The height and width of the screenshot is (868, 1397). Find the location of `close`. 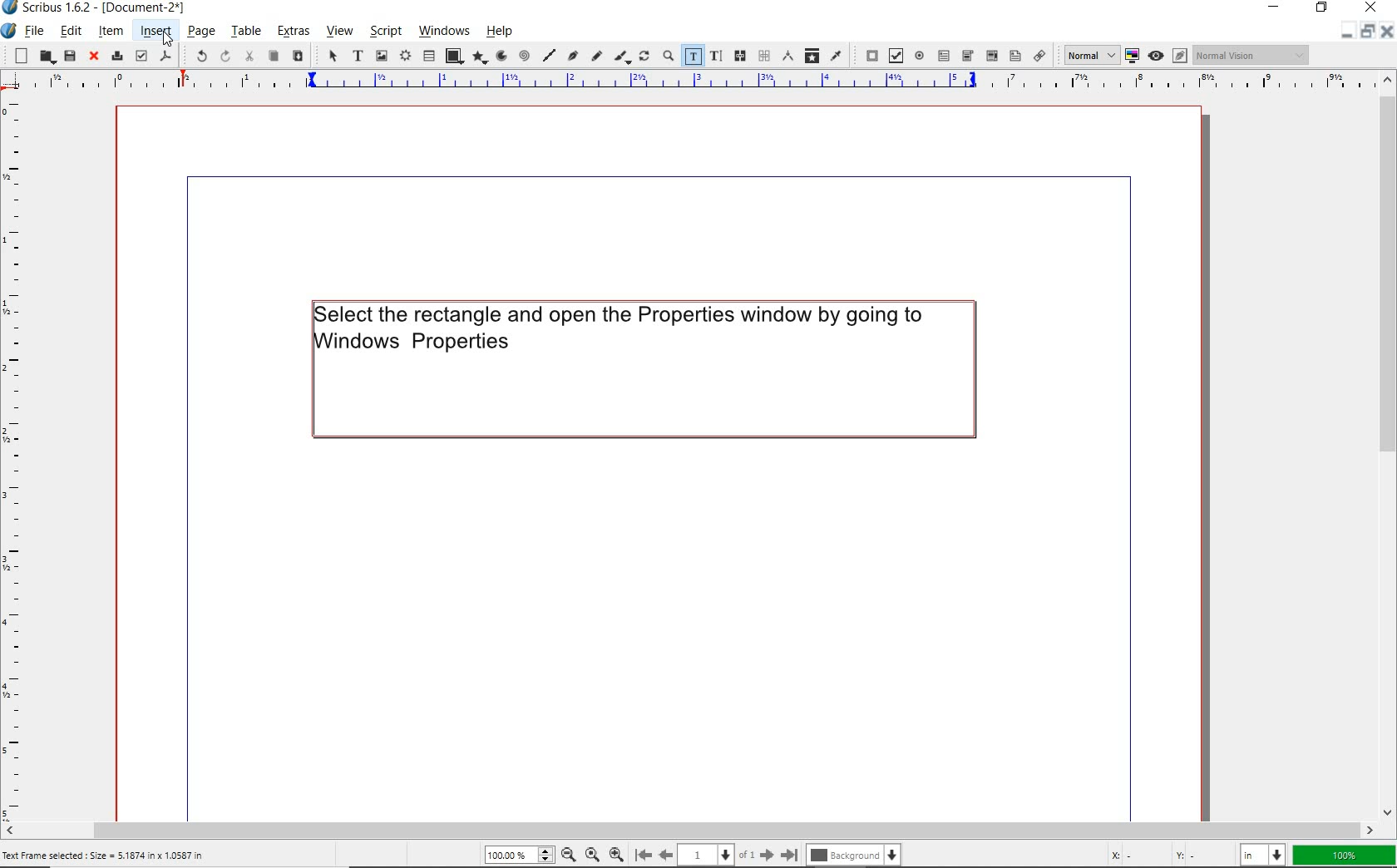

close is located at coordinates (94, 57).